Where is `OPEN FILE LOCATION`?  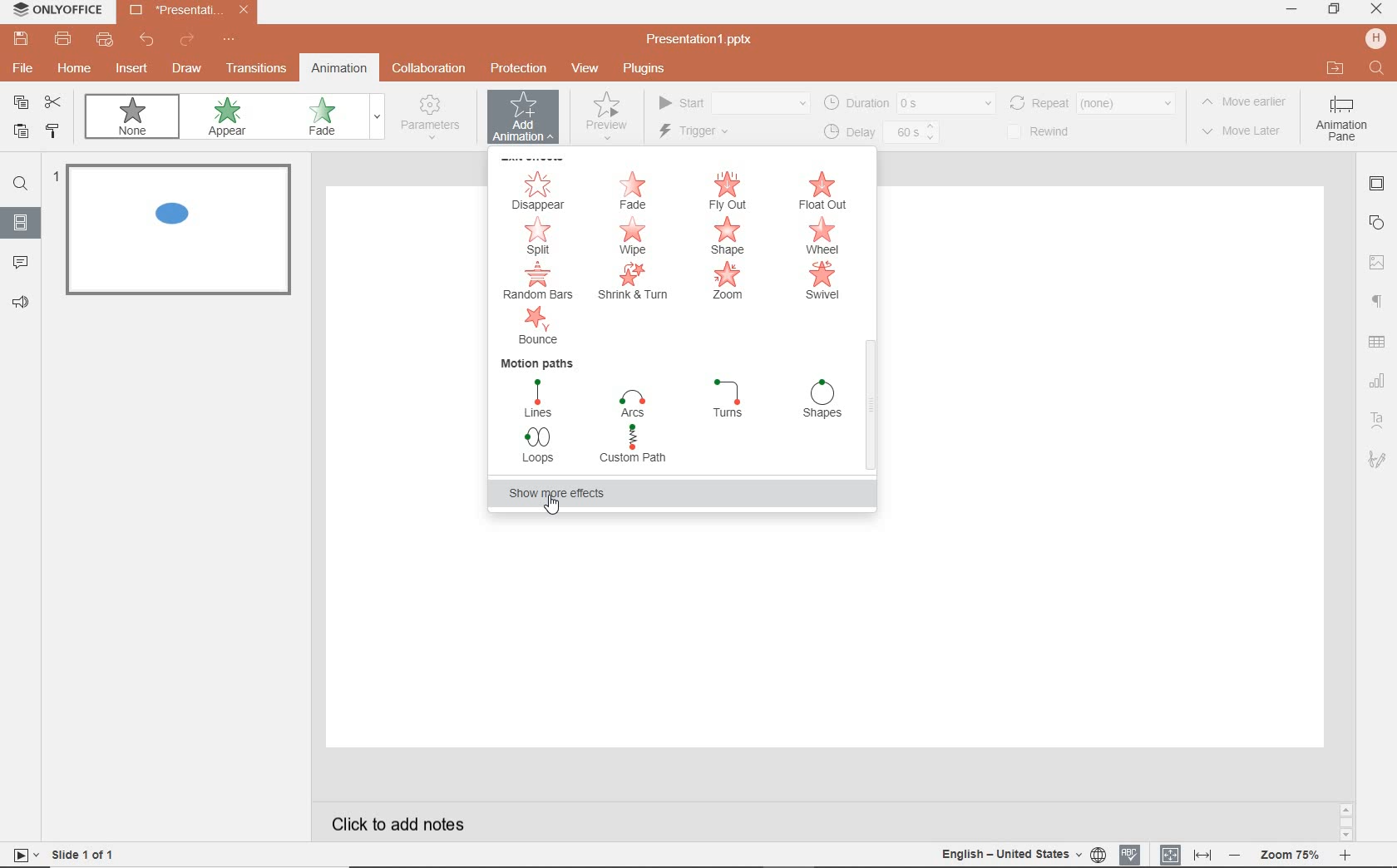 OPEN FILE LOCATION is located at coordinates (1335, 69).